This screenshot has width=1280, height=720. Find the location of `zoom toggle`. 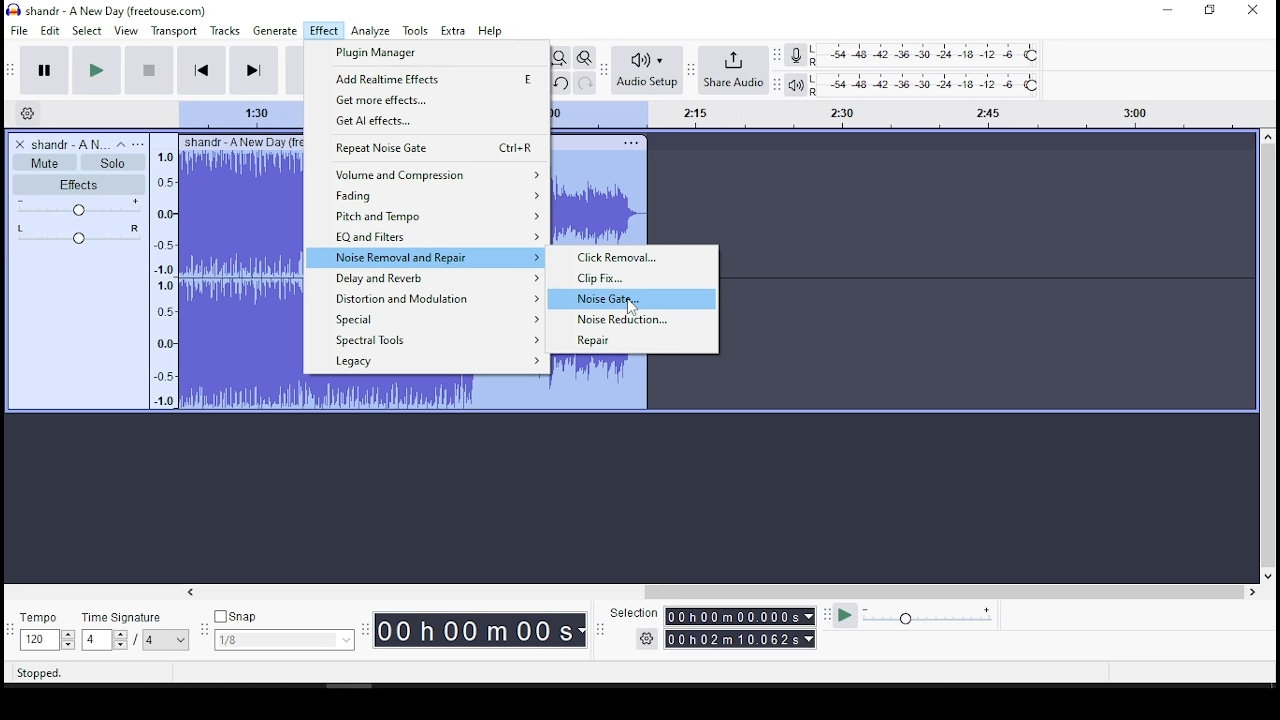

zoom toggle is located at coordinates (585, 57).